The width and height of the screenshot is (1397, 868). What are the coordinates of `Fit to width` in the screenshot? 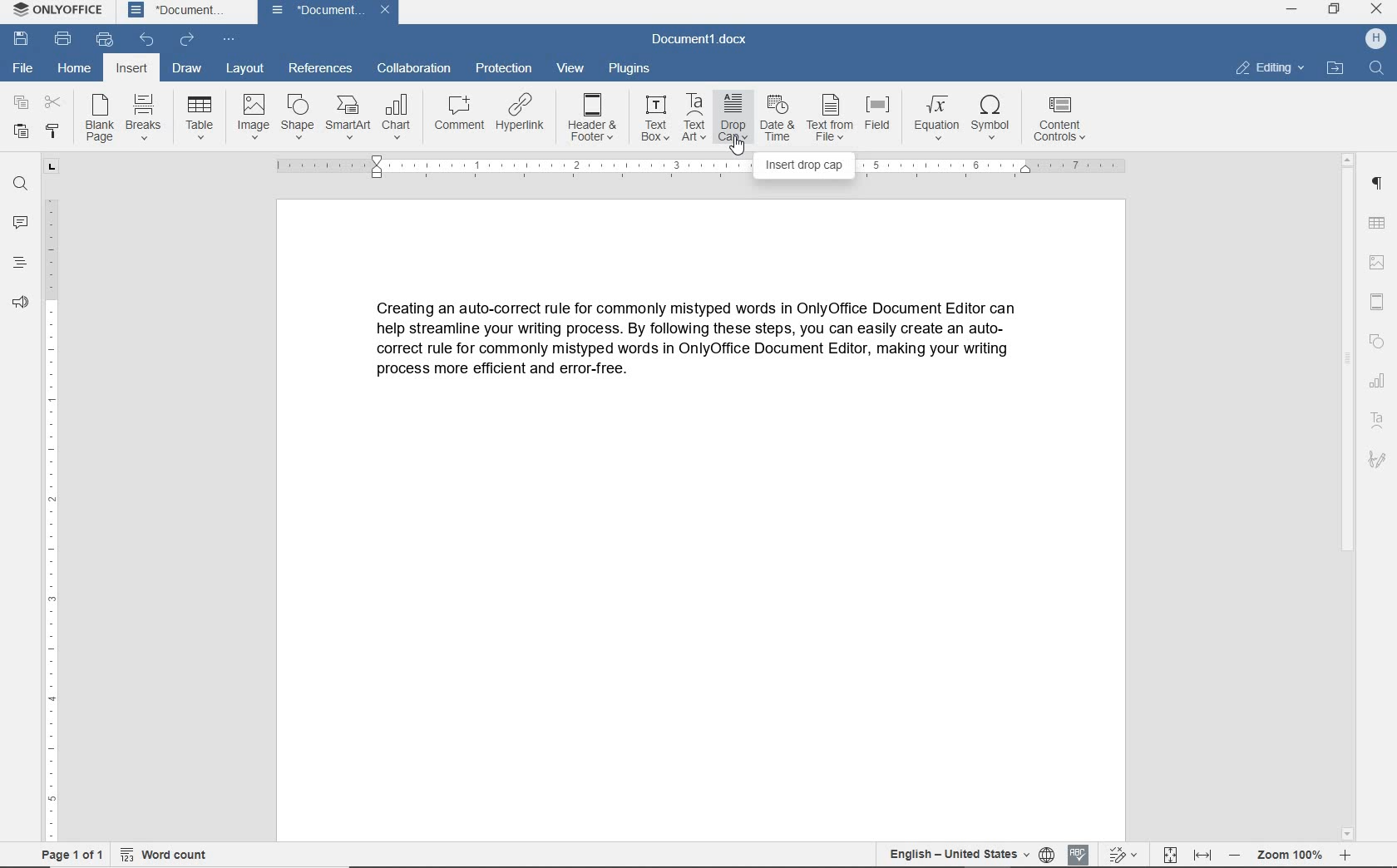 It's located at (1201, 853).